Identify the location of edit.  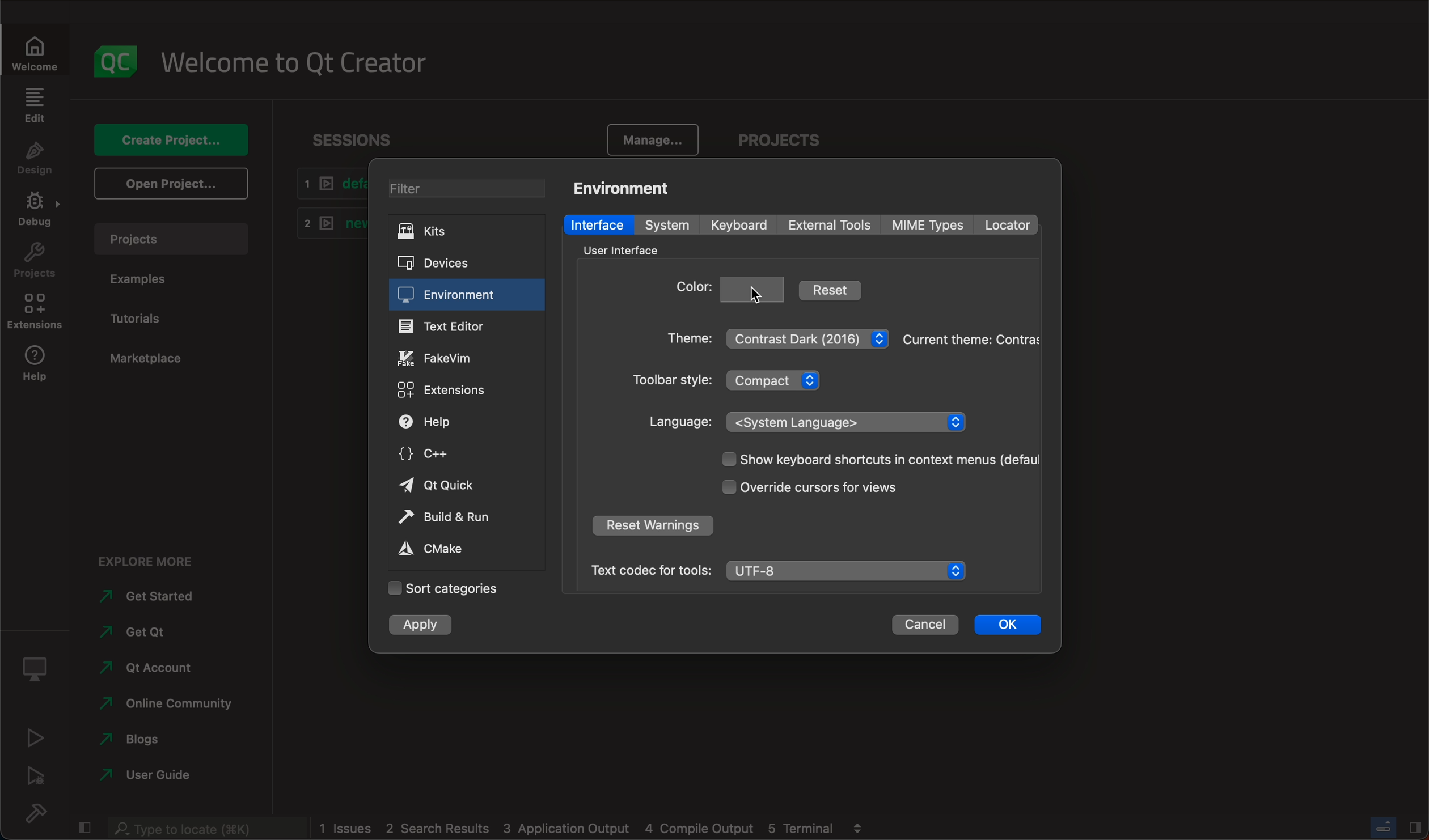
(34, 105).